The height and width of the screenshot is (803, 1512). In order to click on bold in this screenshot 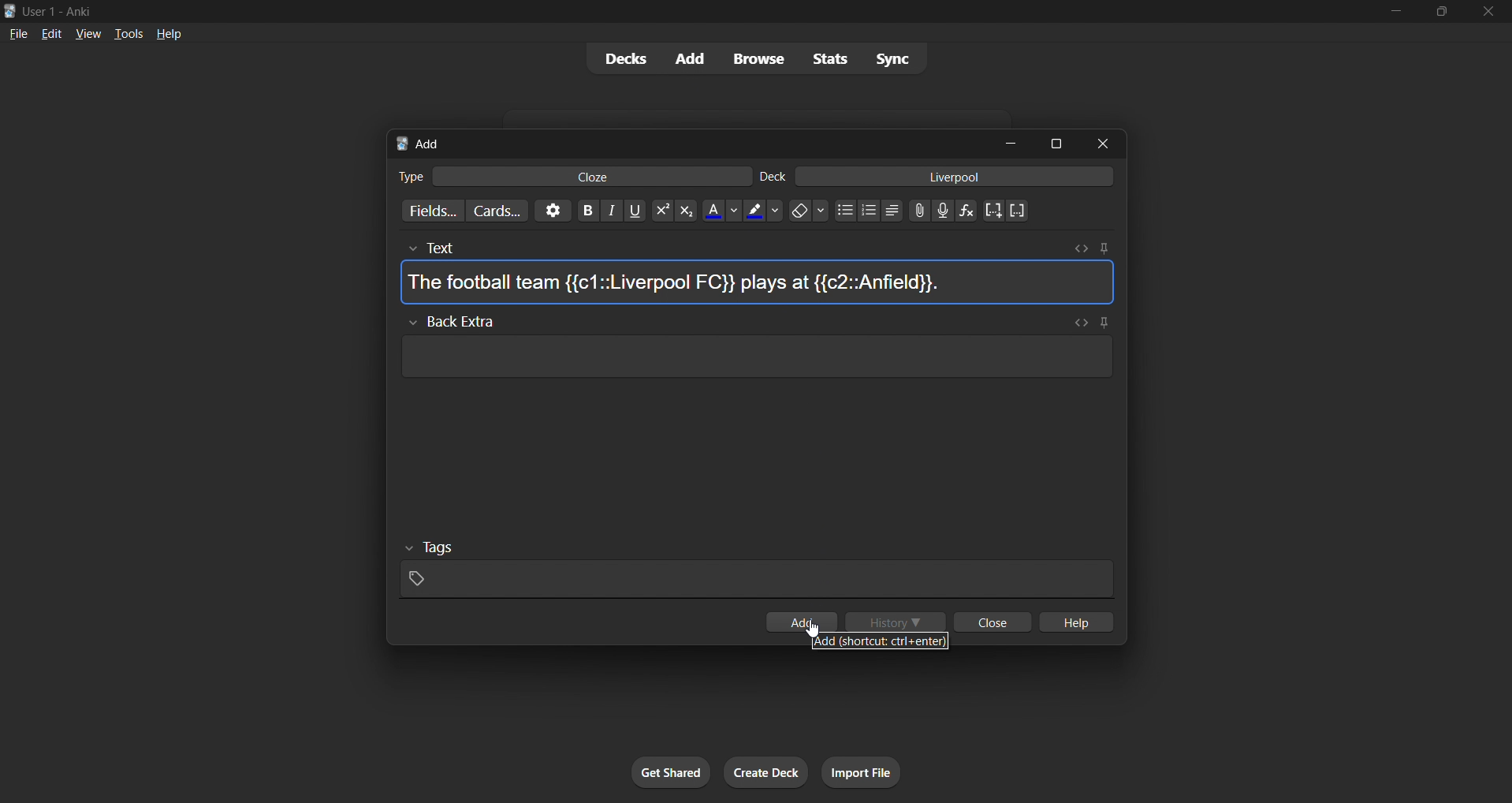, I will do `click(588, 213)`.